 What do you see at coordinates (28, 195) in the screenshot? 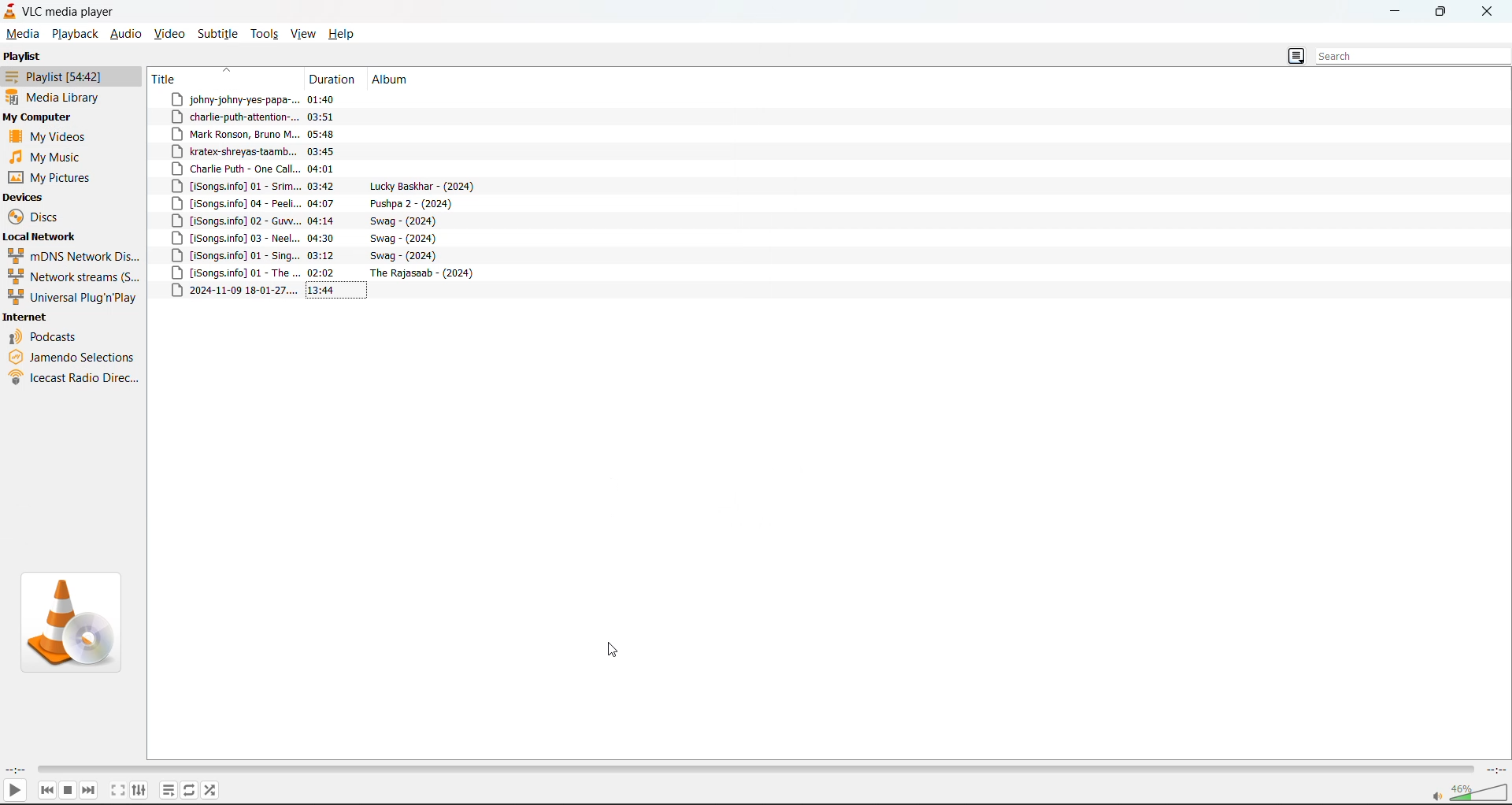
I see `devices` at bounding box center [28, 195].